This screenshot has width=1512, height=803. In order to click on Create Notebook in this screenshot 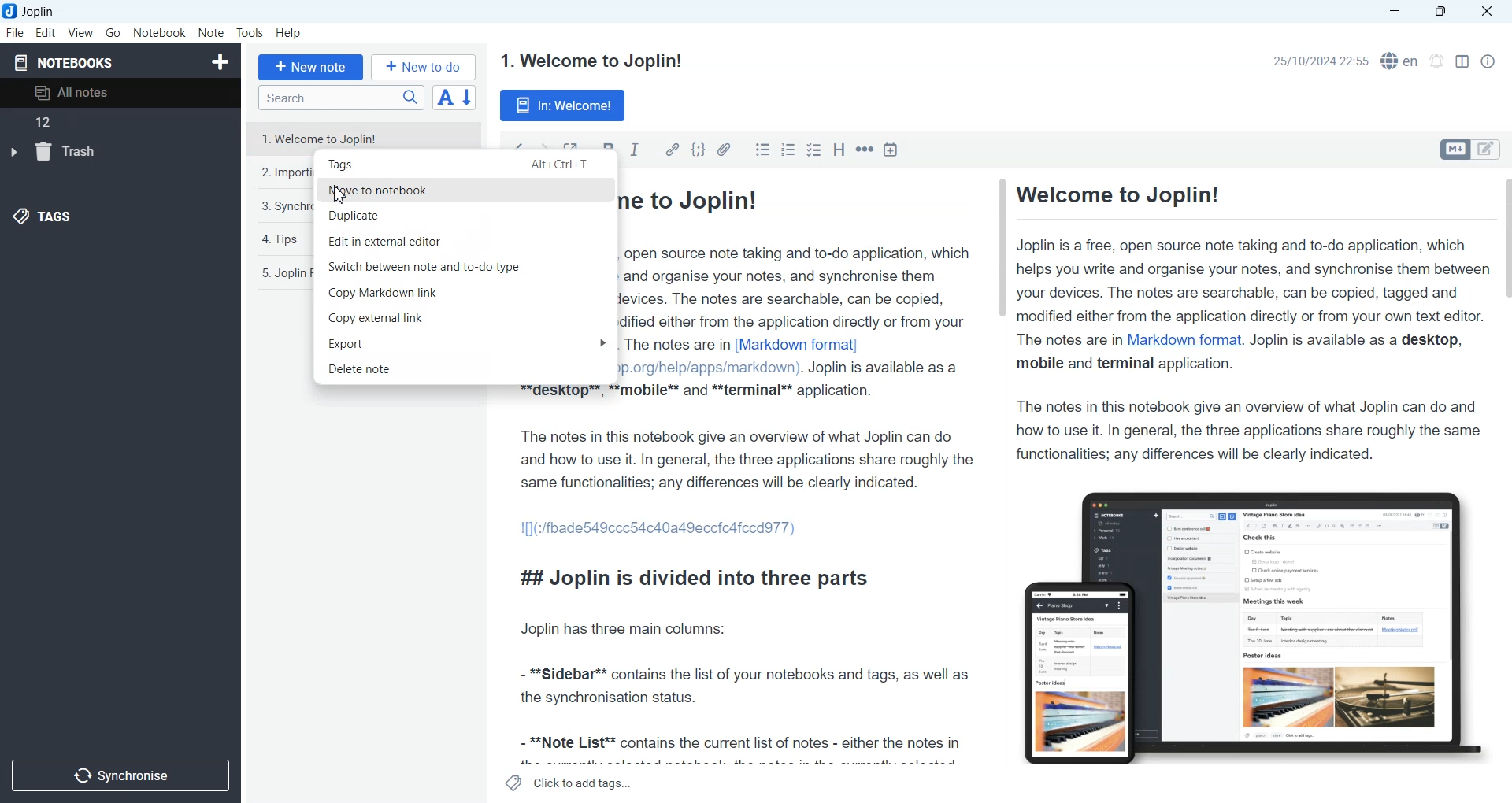, I will do `click(221, 60)`.